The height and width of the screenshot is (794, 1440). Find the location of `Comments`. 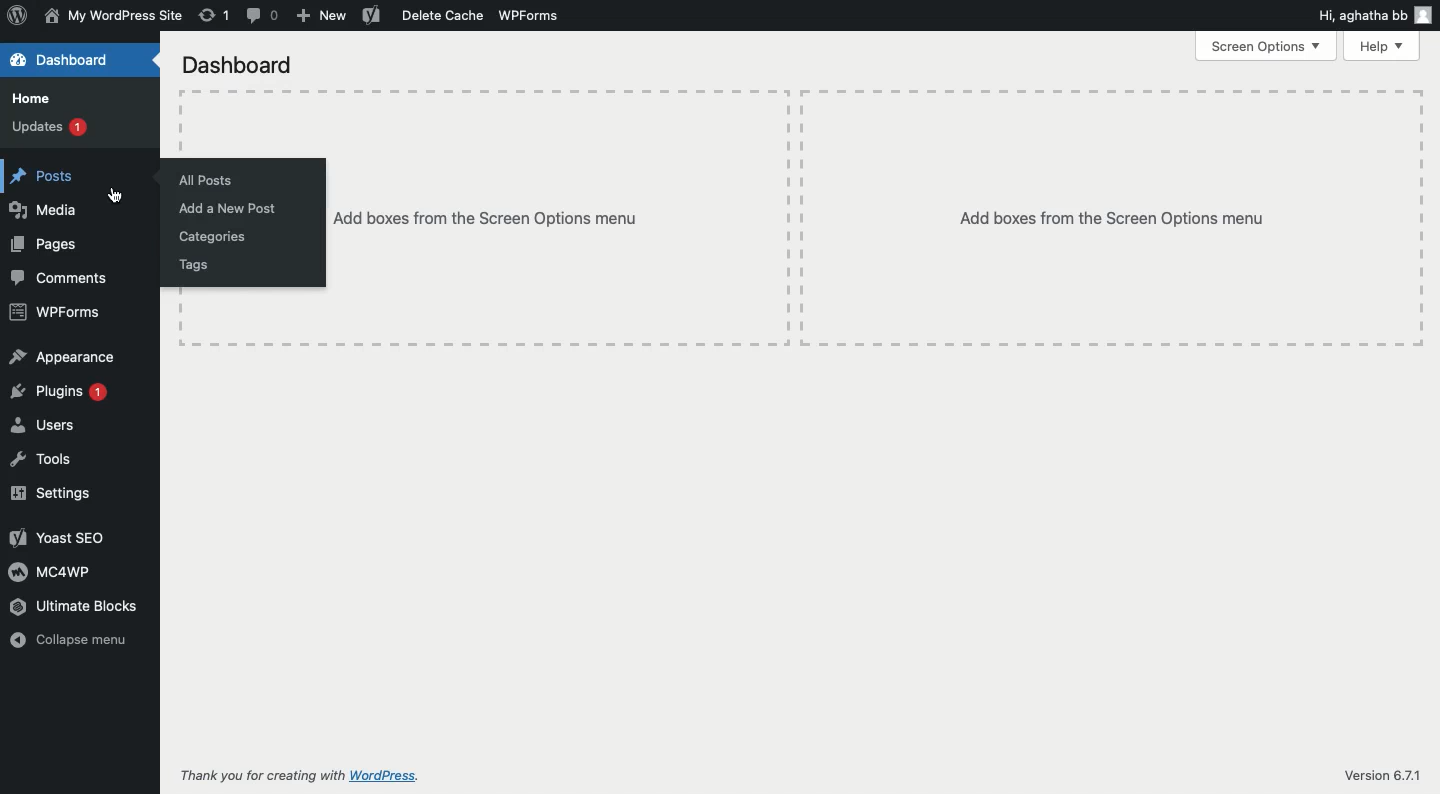

Comments is located at coordinates (64, 279).